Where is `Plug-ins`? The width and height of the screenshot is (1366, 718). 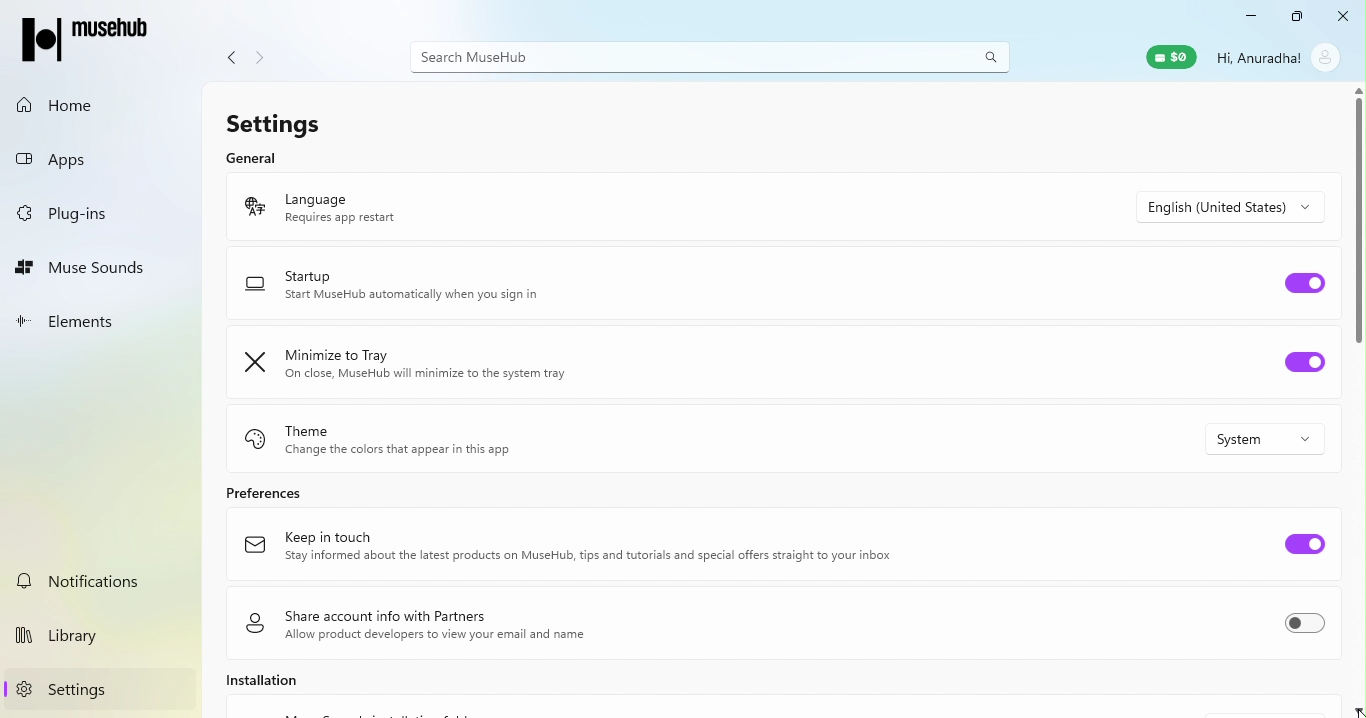
Plug-ins is located at coordinates (91, 210).